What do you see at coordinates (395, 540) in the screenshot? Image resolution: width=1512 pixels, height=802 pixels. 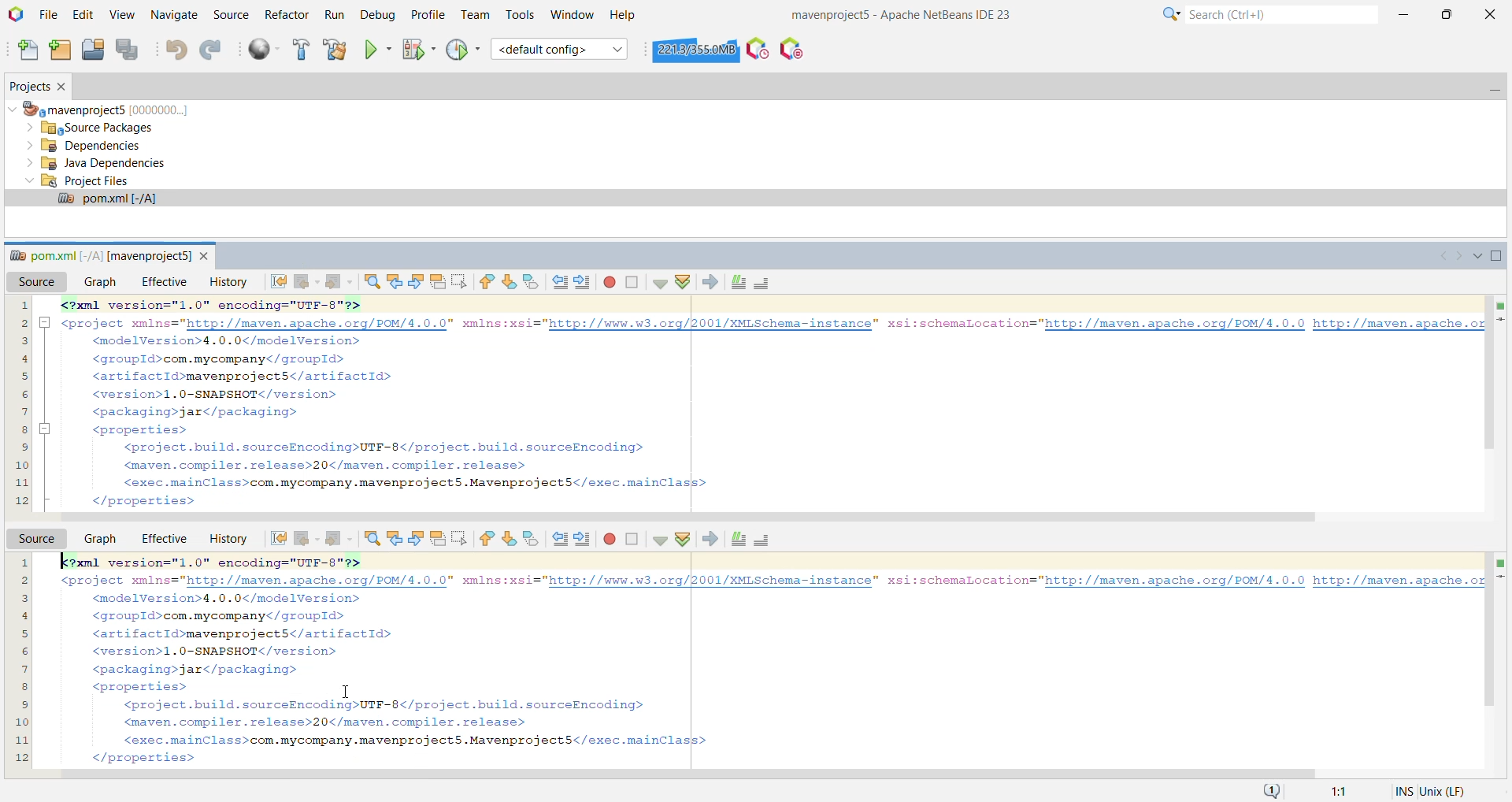 I see `Find Previous Occurrence` at bounding box center [395, 540].